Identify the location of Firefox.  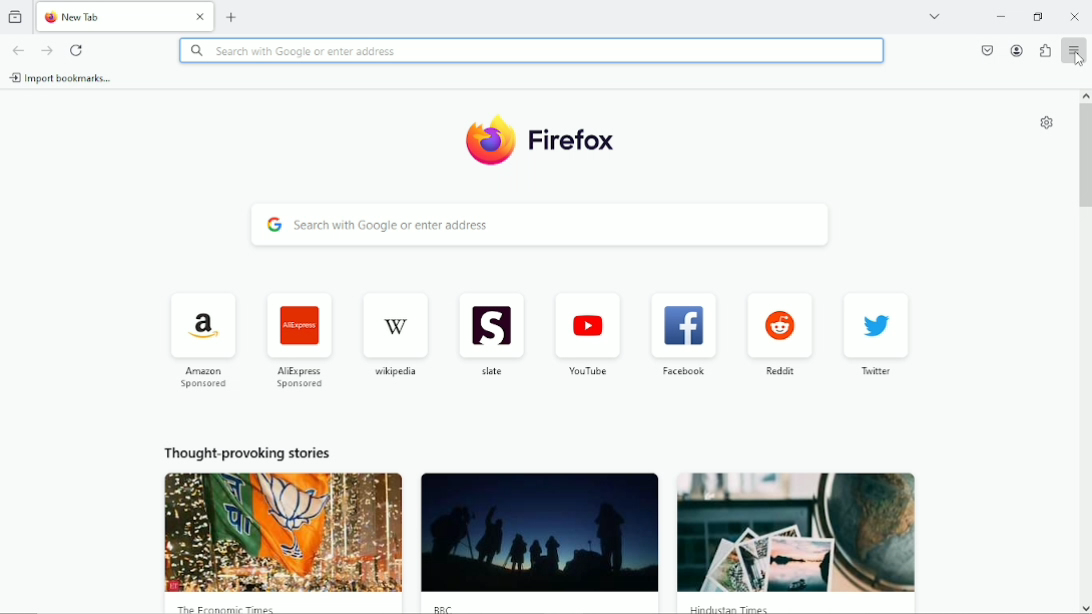
(575, 144).